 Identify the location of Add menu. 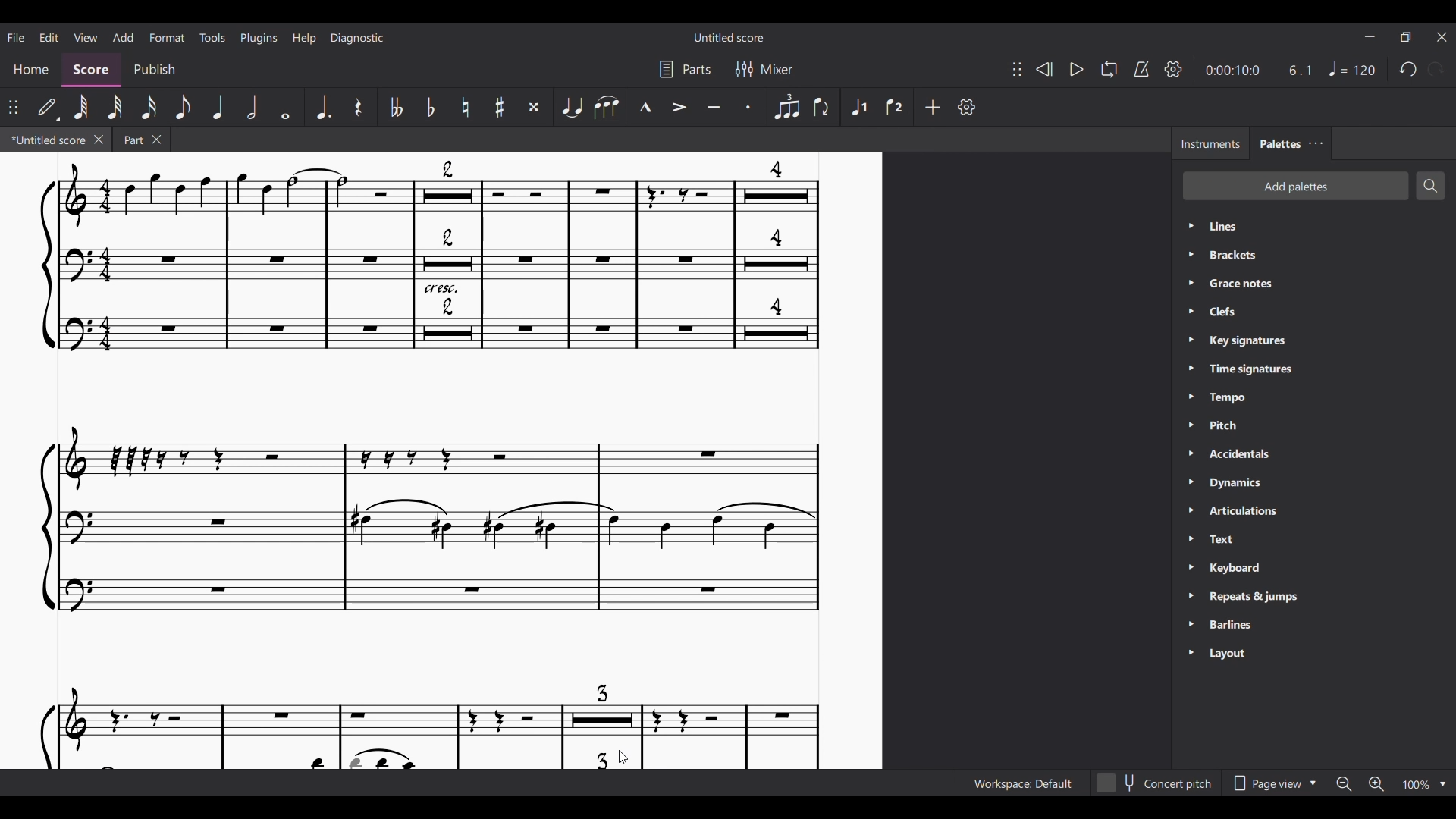
(124, 36).